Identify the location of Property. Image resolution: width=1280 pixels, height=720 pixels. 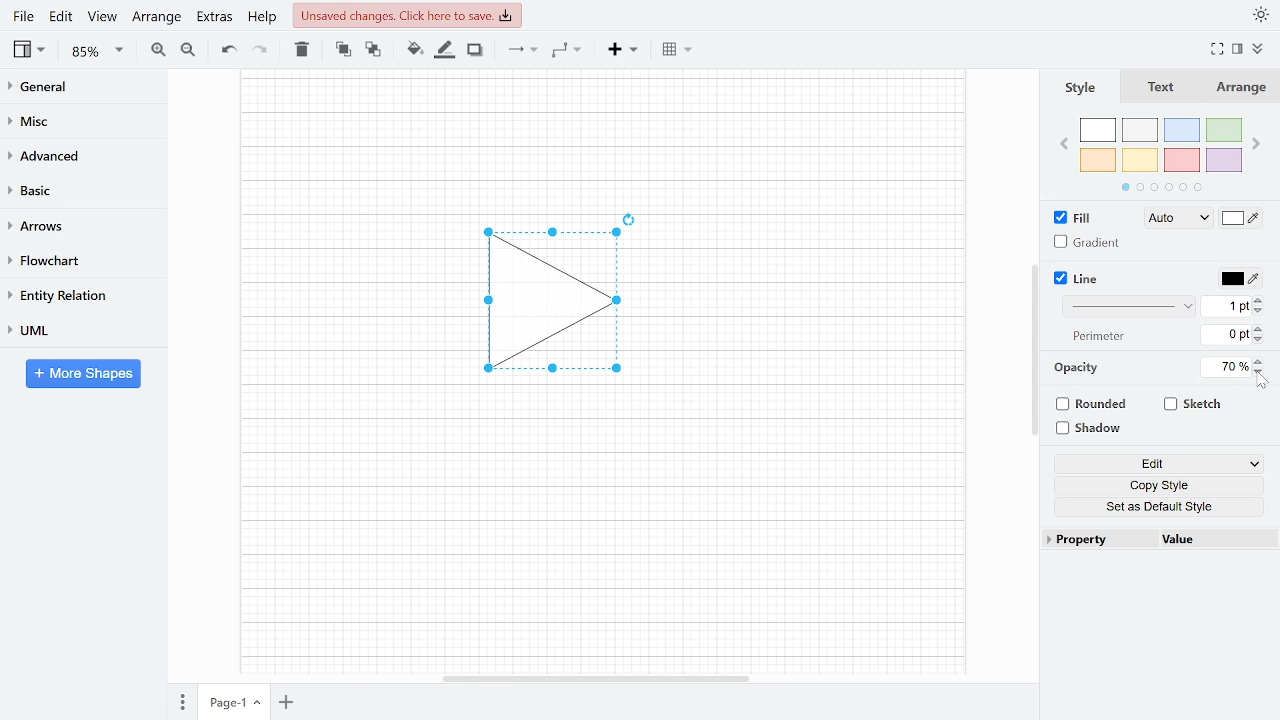
(1098, 540).